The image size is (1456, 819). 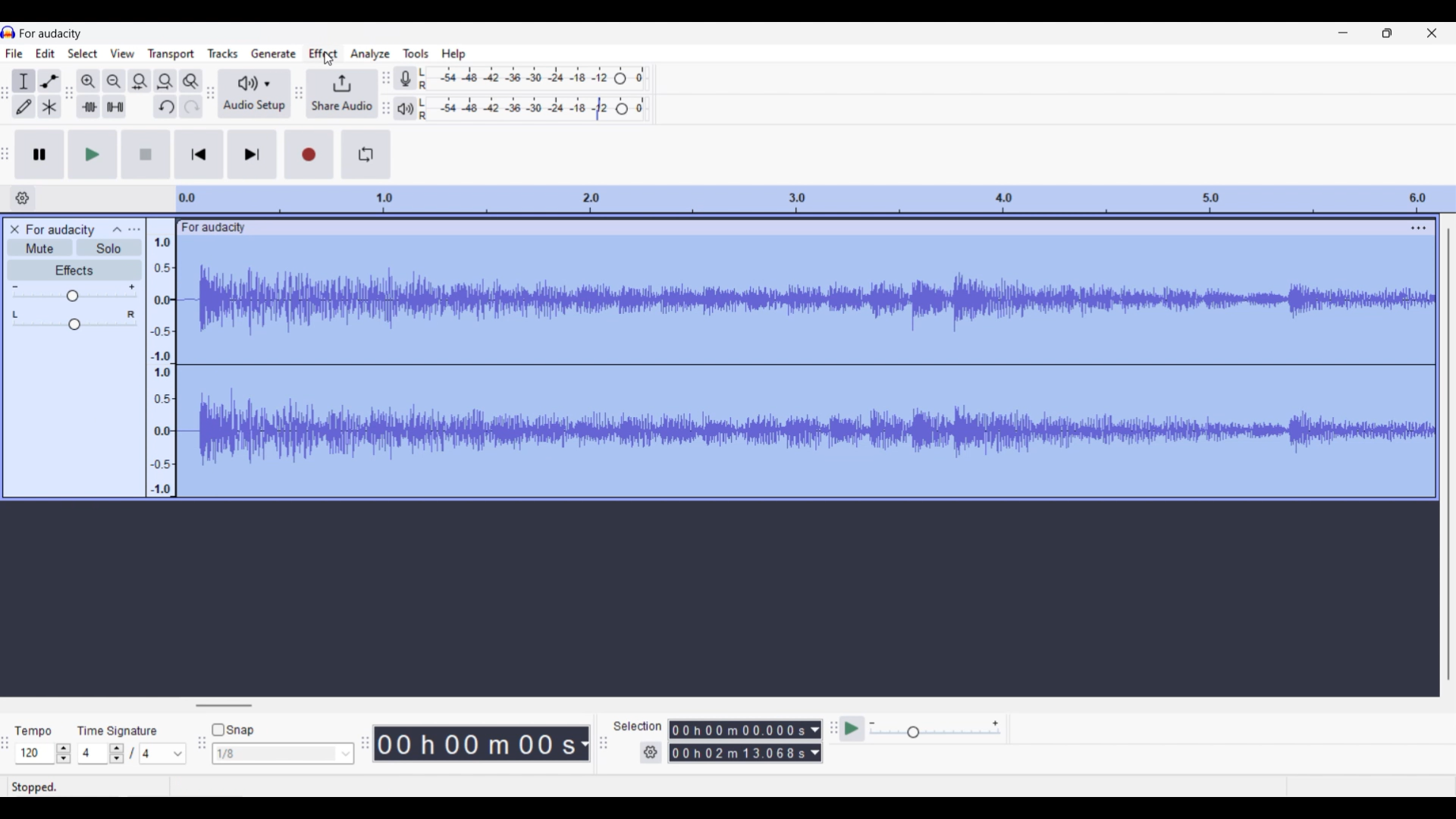 I want to click on Envelop tool, so click(x=50, y=81).